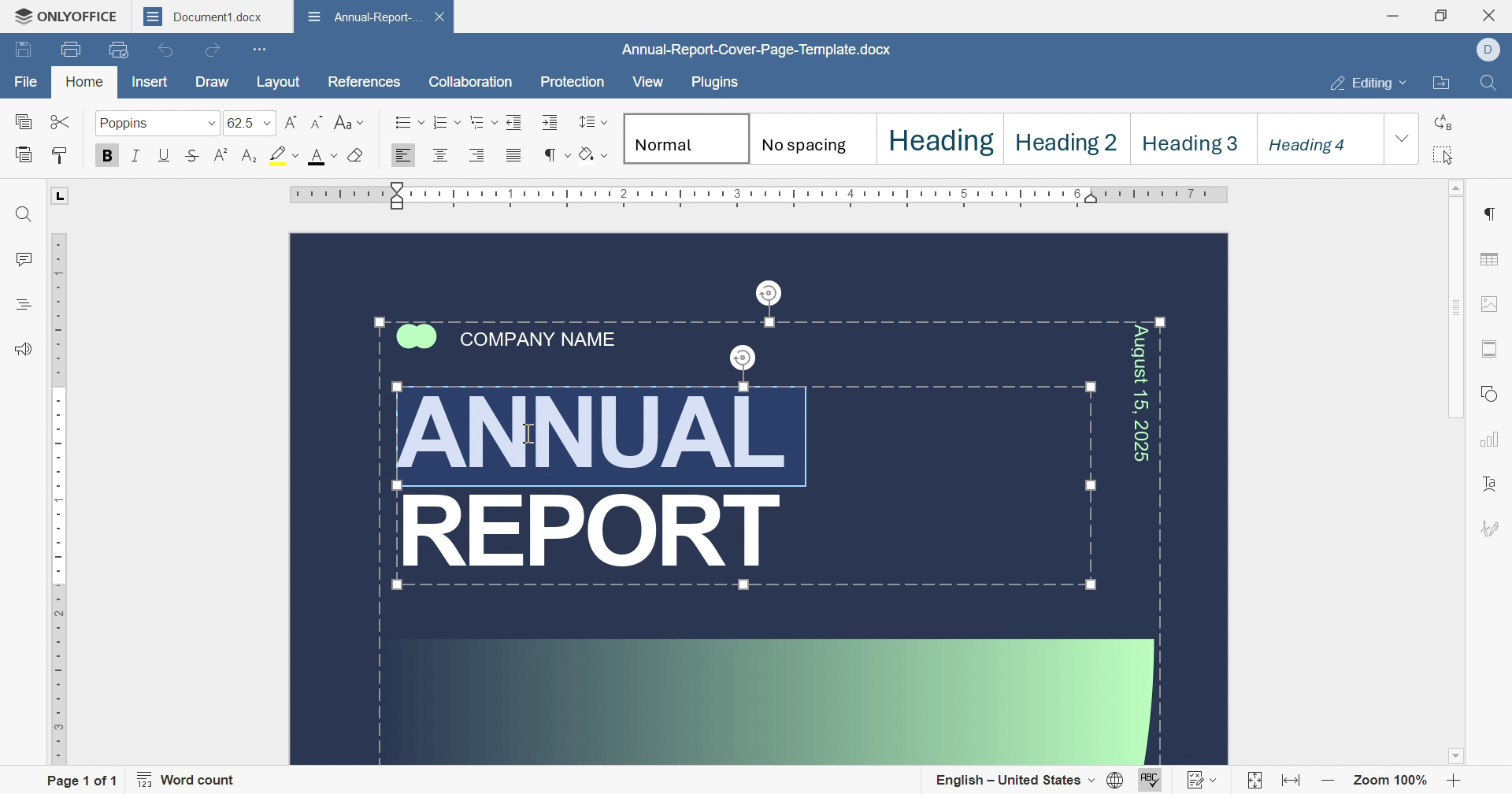  Describe the element at coordinates (139, 158) in the screenshot. I see `italic` at that location.